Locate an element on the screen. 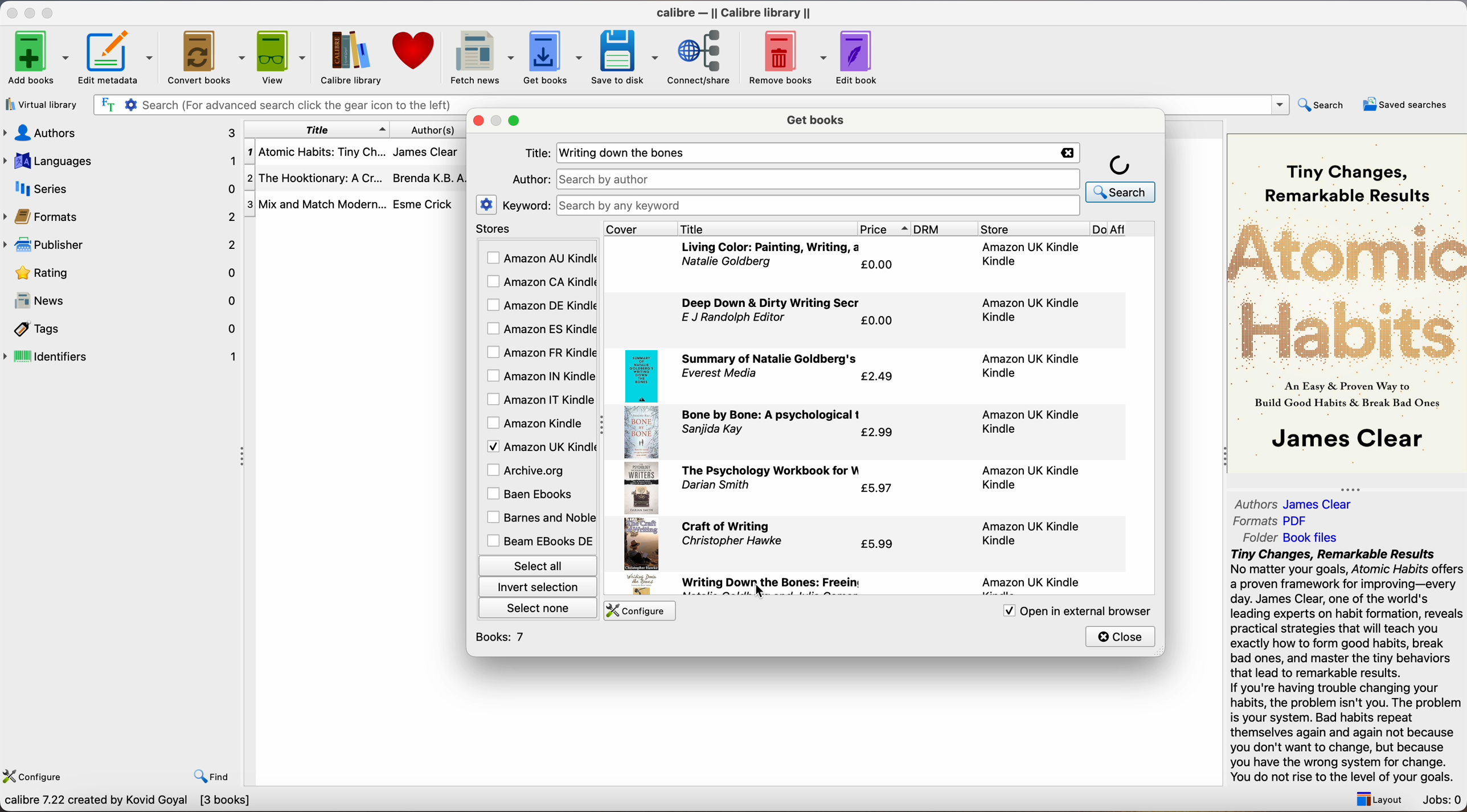 The image size is (1467, 812). book icon is located at coordinates (641, 433).